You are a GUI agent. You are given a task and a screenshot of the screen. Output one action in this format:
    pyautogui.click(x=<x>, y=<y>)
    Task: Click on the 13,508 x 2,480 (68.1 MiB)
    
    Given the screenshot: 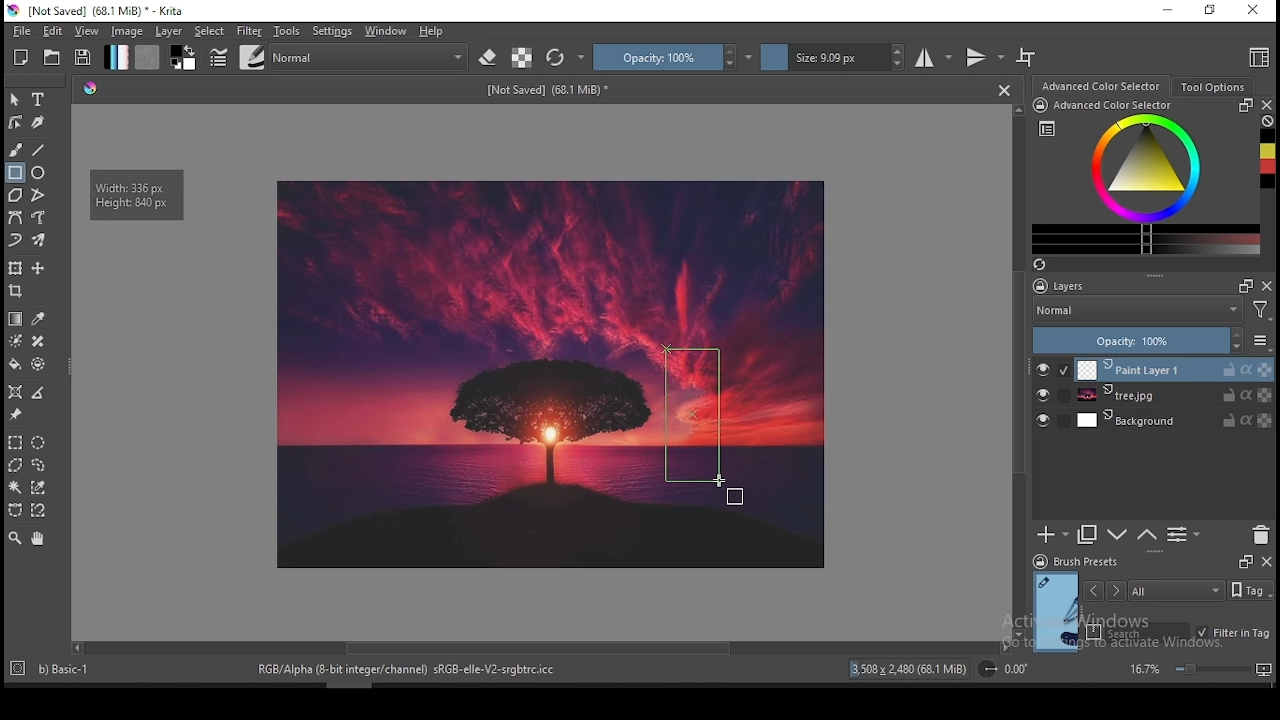 What is the action you would take?
    pyautogui.click(x=909, y=668)
    